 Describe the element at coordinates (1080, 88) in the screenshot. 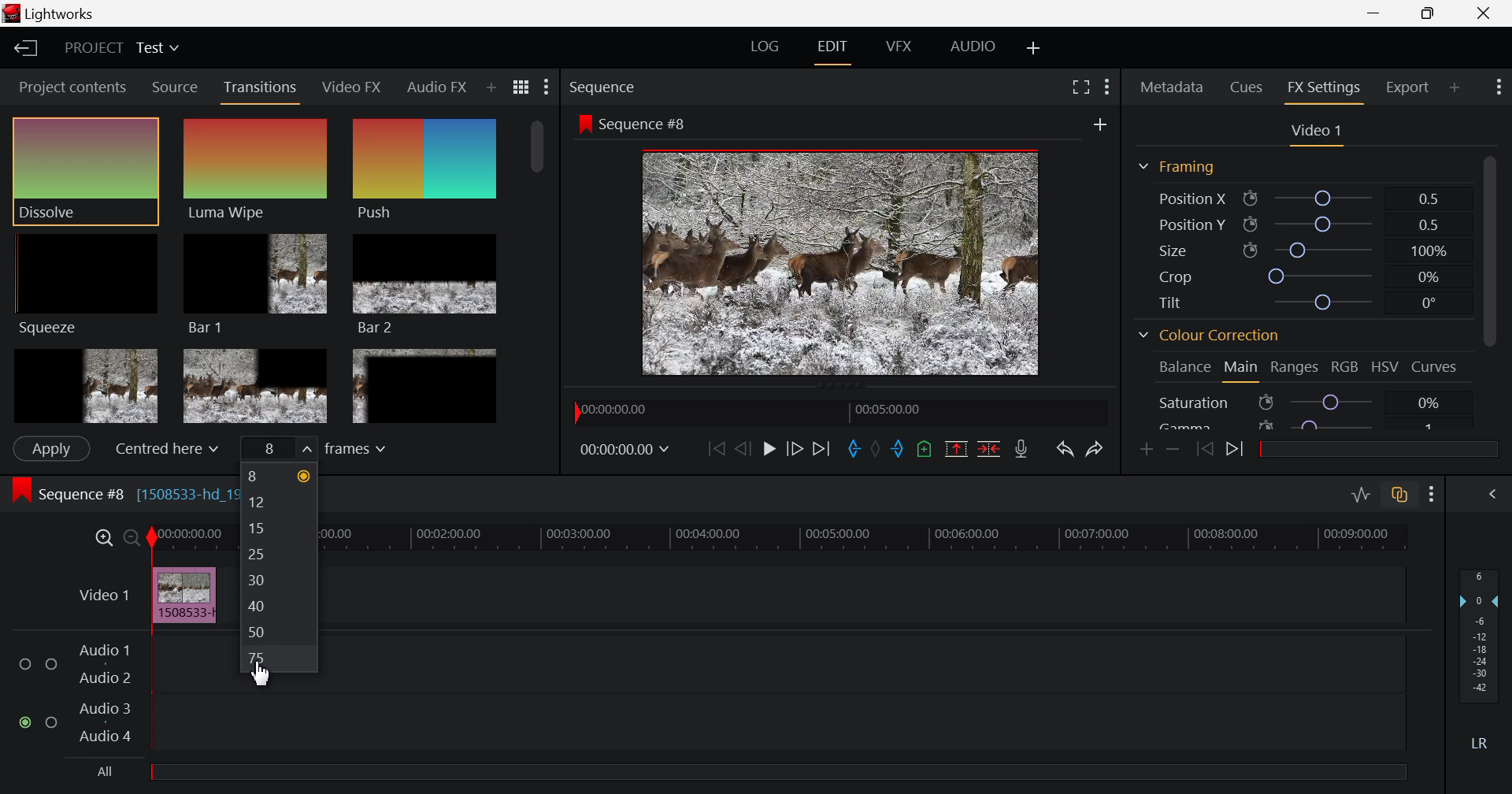

I see `Full Screen` at that location.